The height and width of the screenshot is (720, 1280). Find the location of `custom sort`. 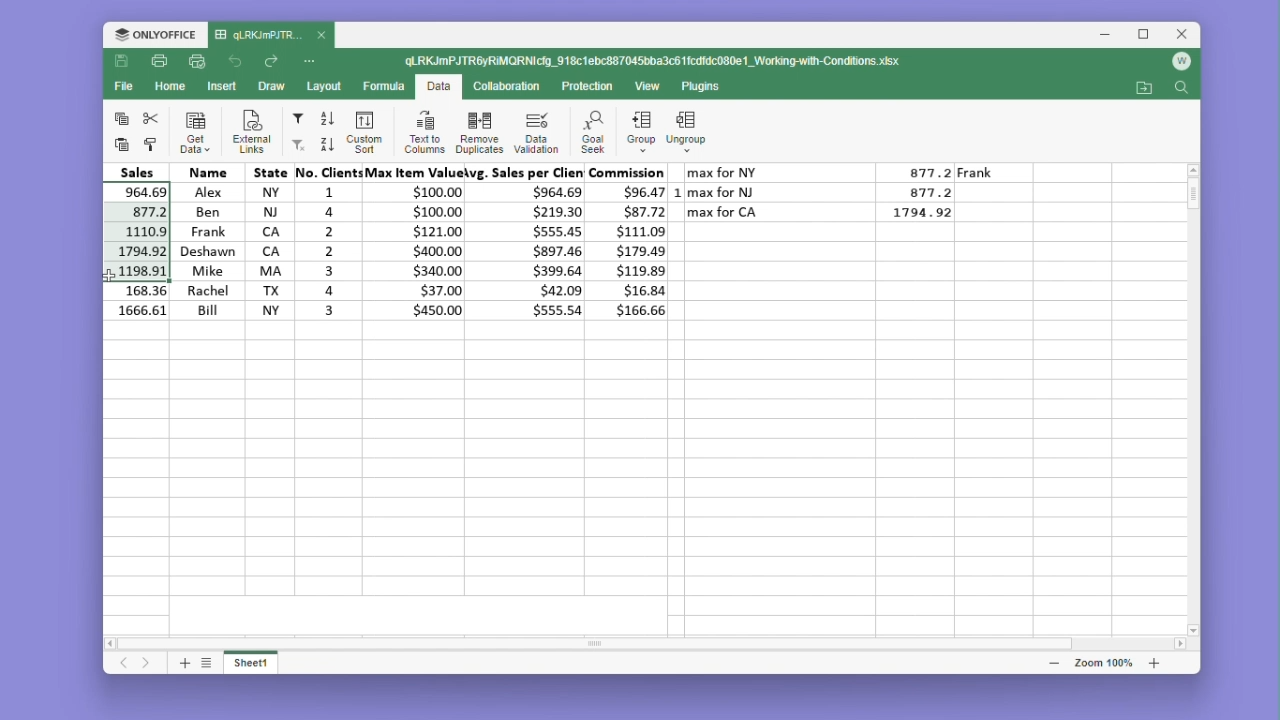

custom sort is located at coordinates (362, 132).